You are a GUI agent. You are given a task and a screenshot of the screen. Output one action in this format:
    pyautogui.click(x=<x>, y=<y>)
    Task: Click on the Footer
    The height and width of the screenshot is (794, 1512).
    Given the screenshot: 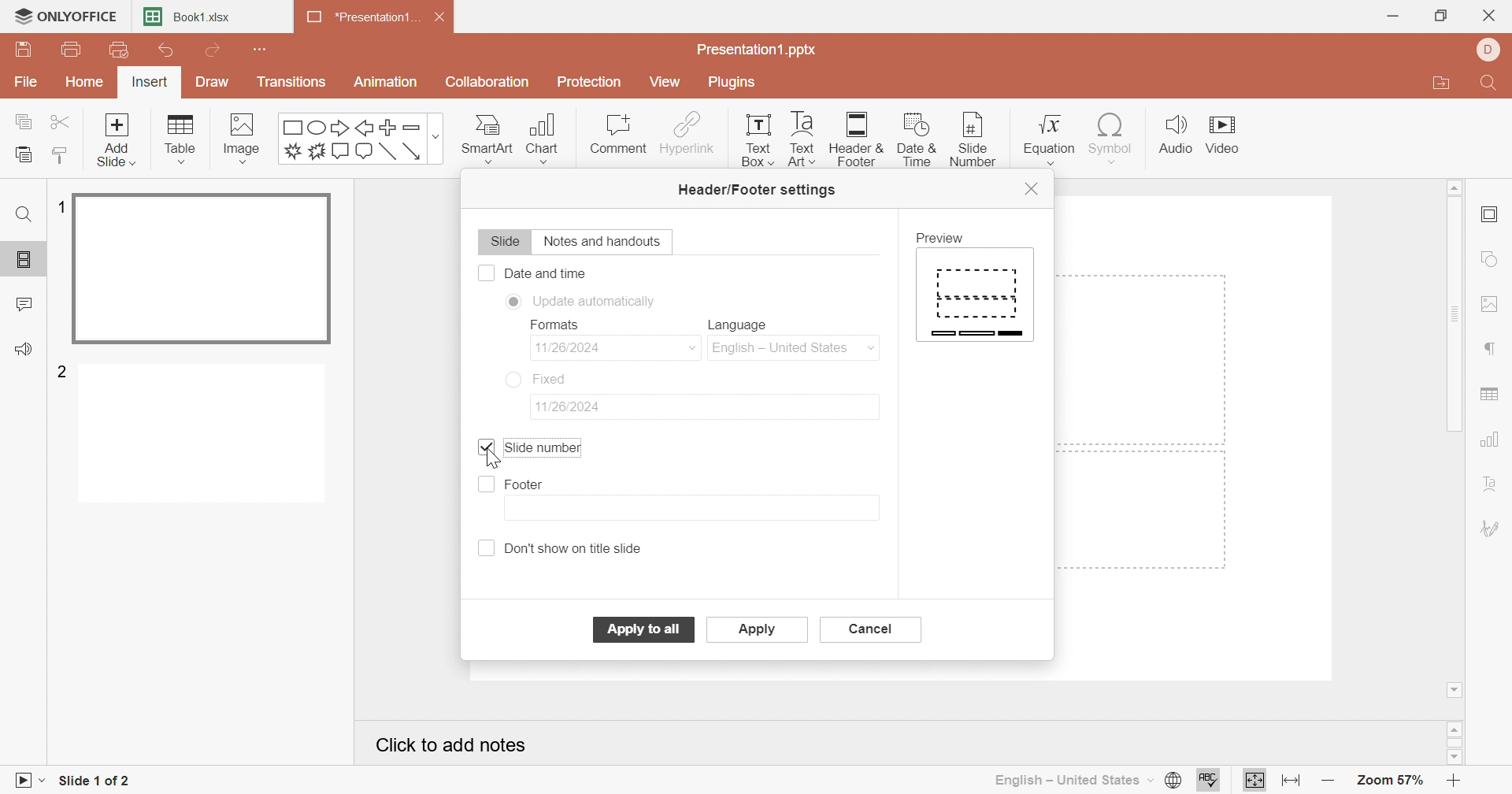 What is the action you would take?
    pyautogui.click(x=526, y=485)
    